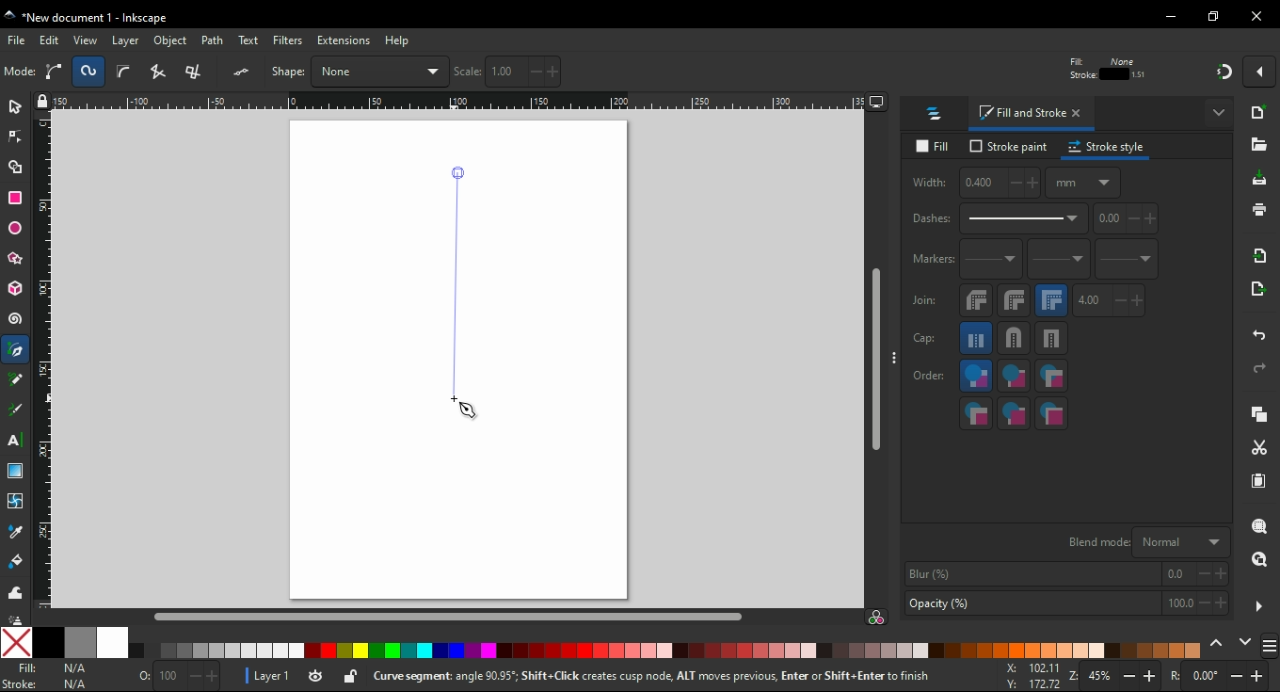 The width and height of the screenshot is (1280, 692). I want to click on view, so click(86, 40).